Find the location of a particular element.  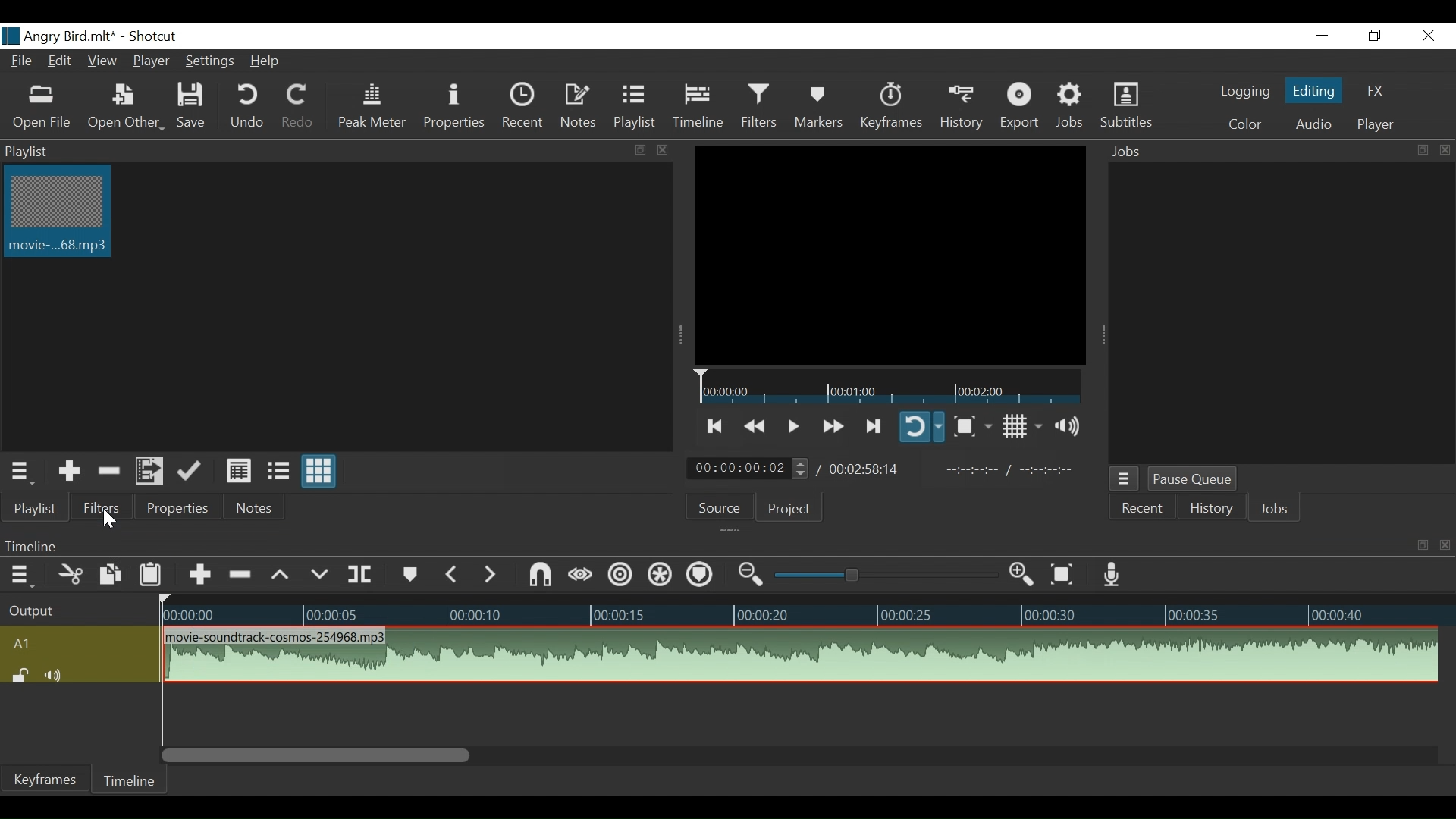

In point is located at coordinates (1009, 472).